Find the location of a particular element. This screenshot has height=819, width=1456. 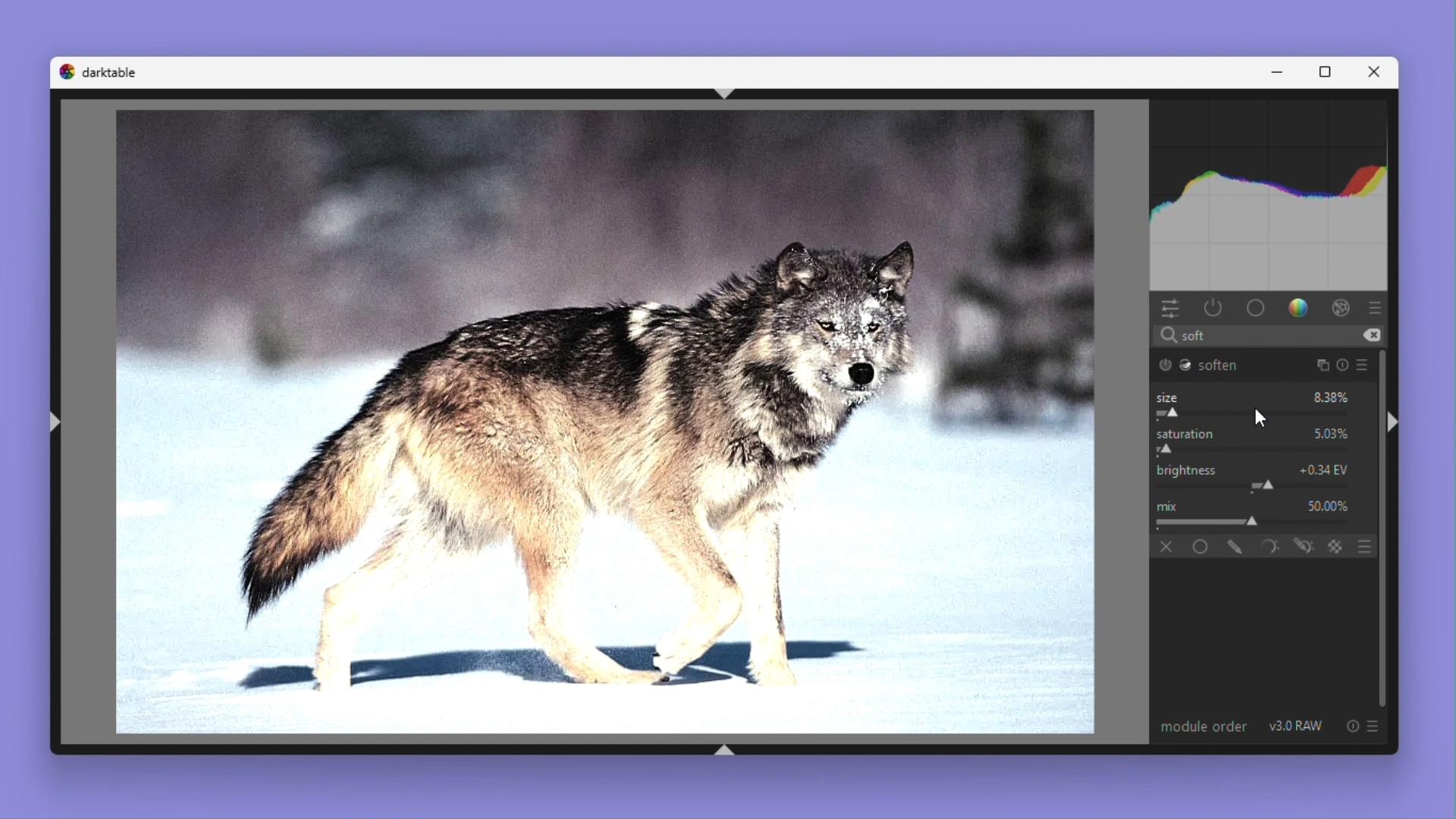

Collapse is located at coordinates (1394, 424).